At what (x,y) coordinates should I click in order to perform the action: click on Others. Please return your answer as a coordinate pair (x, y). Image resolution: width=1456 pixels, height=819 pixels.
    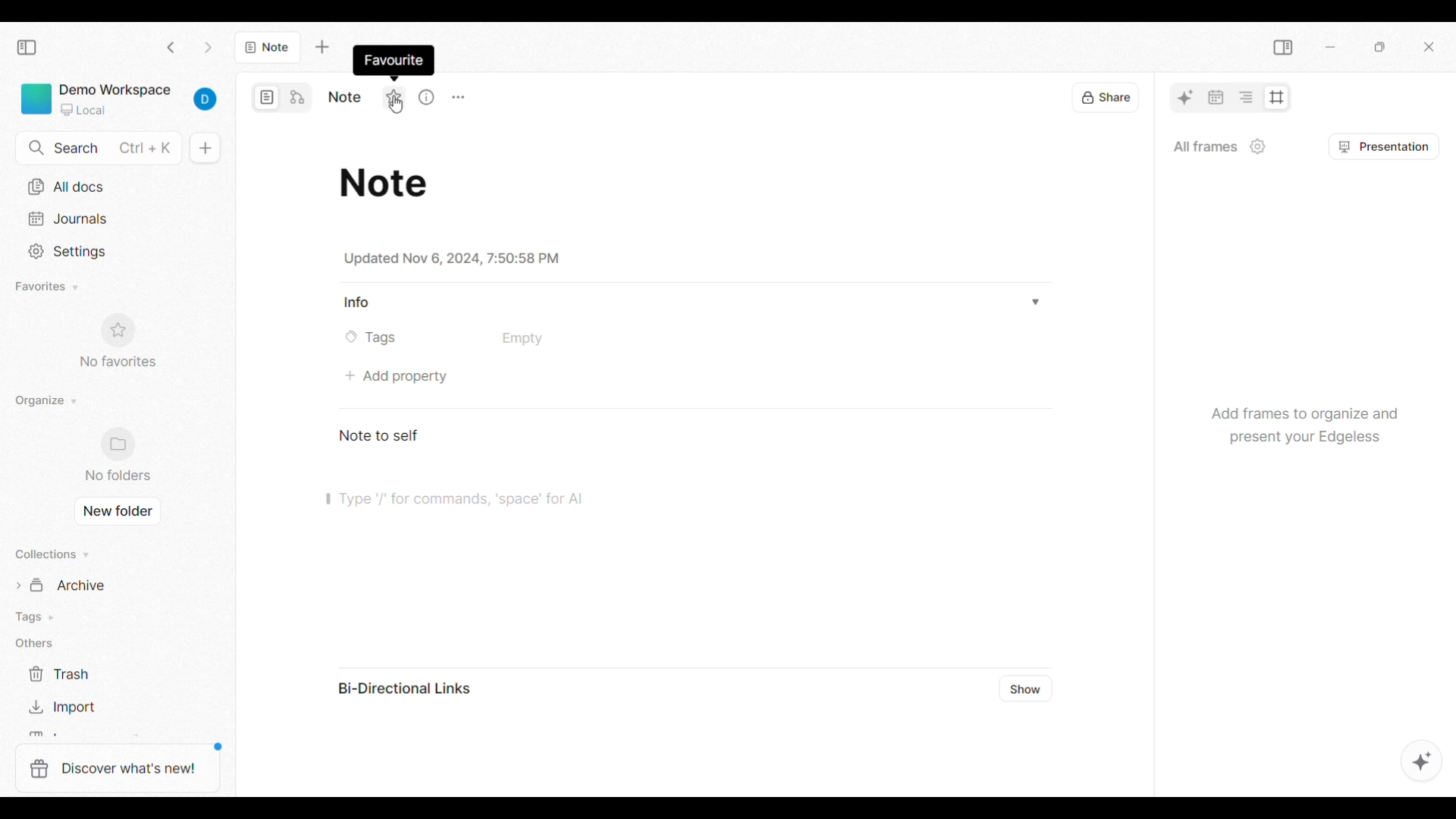
    Looking at the image, I should click on (39, 644).